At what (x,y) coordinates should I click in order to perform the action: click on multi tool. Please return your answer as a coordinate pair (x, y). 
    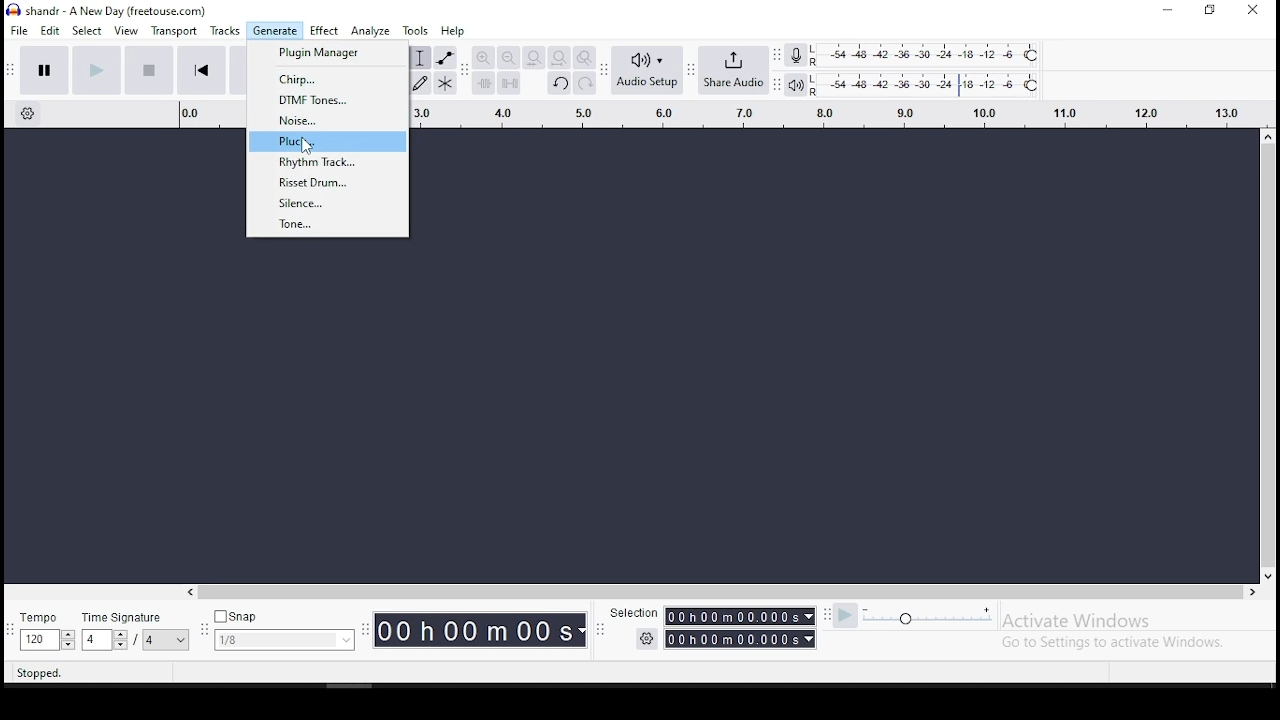
    Looking at the image, I should click on (446, 82).